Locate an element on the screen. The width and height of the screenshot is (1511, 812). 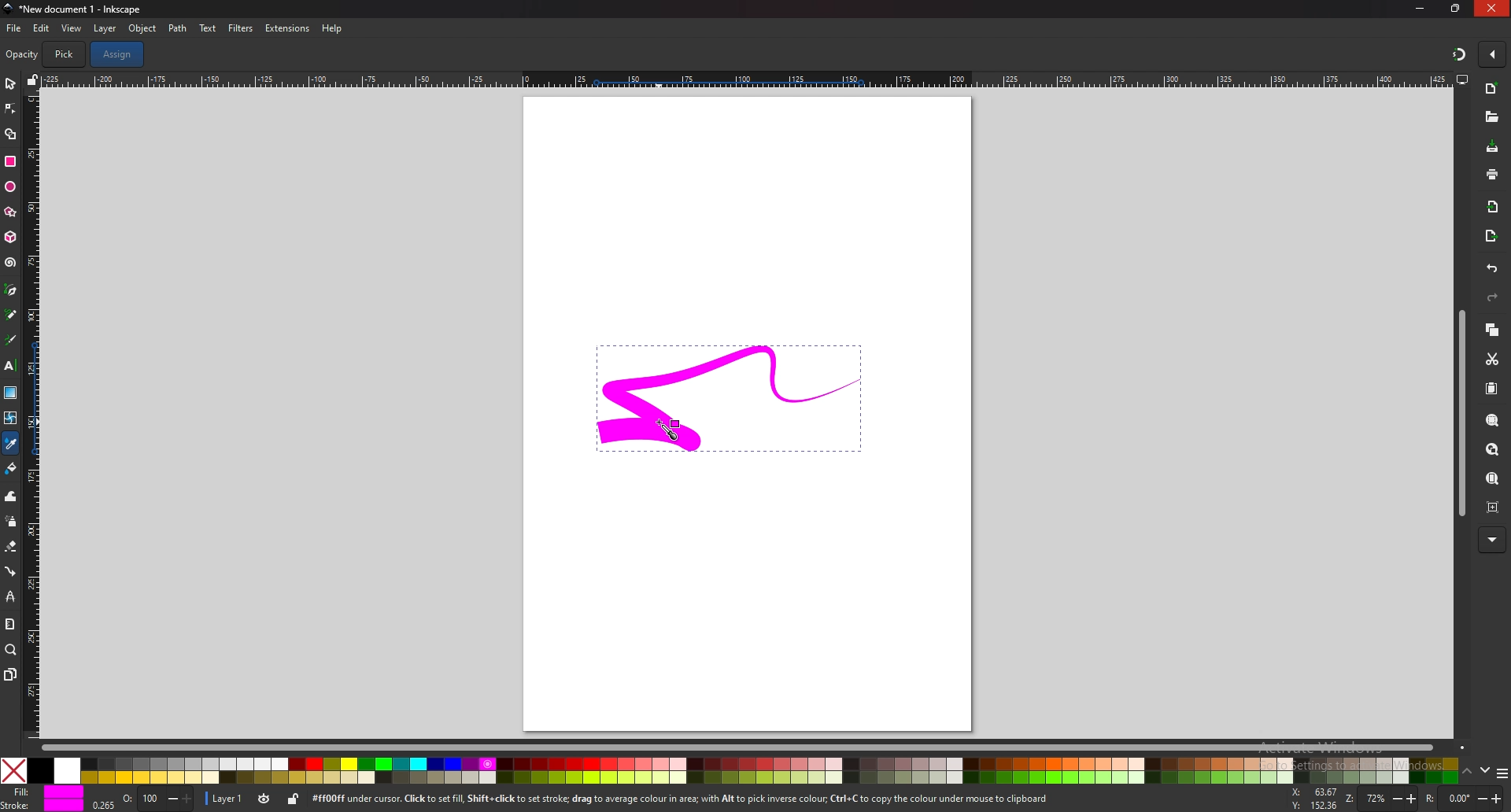
help is located at coordinates (334, 28).